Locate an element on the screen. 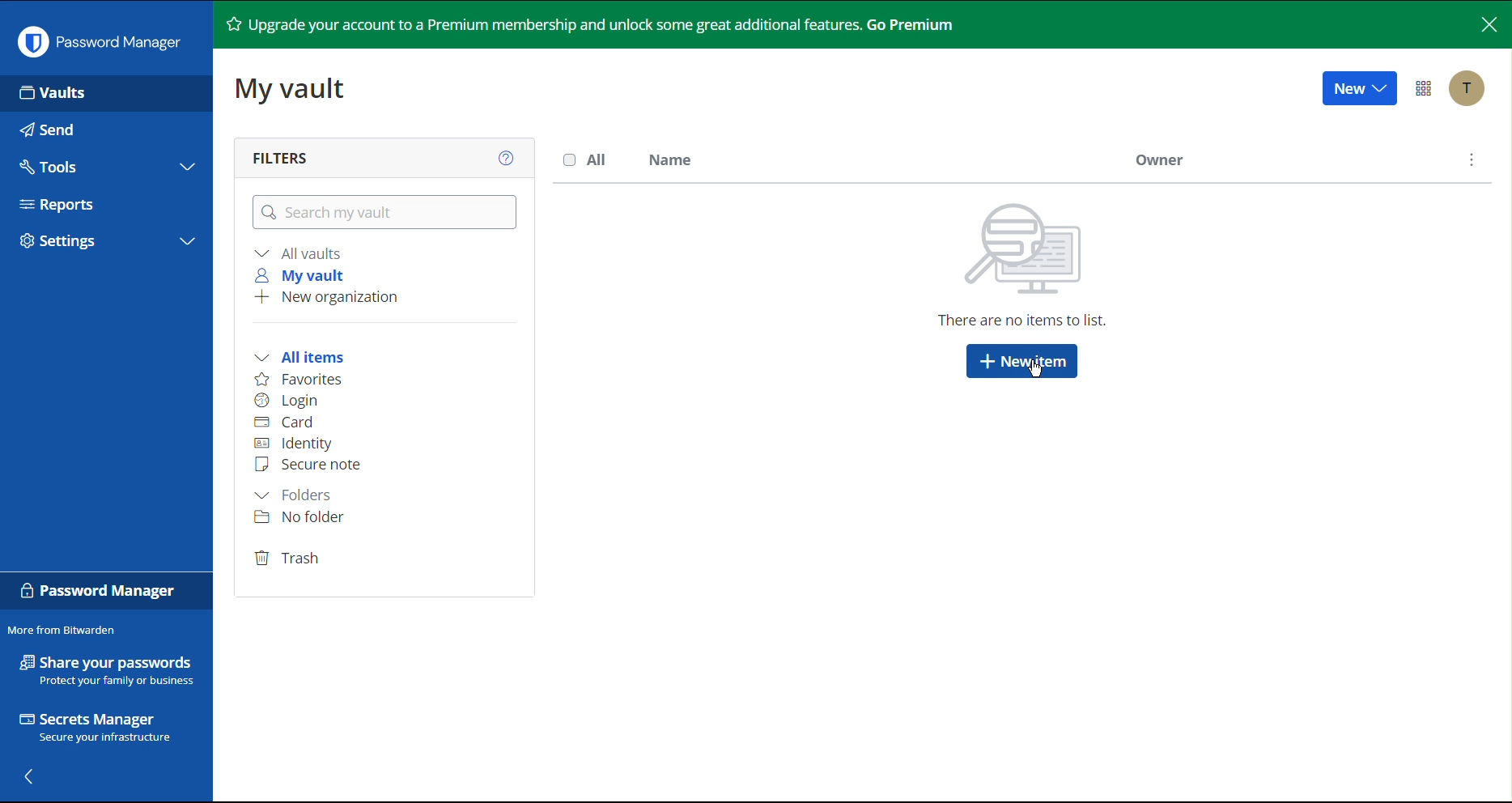 This screenshot has height=803, width=1512. Vaults is located at coordinates (105, 91).